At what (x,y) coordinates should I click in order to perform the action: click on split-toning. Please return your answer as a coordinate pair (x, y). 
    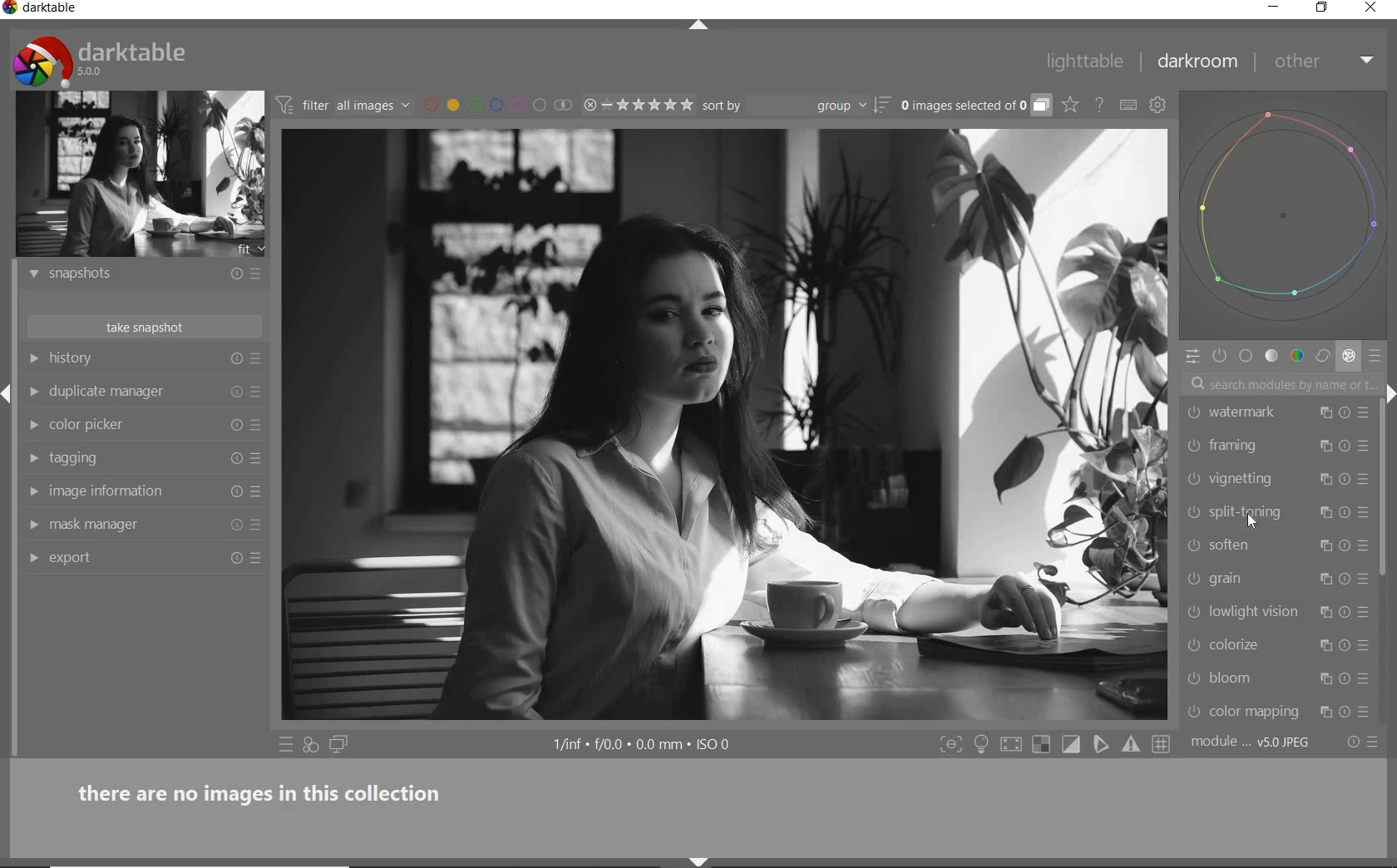
    Looking at the image, I should click on (1258, 512).